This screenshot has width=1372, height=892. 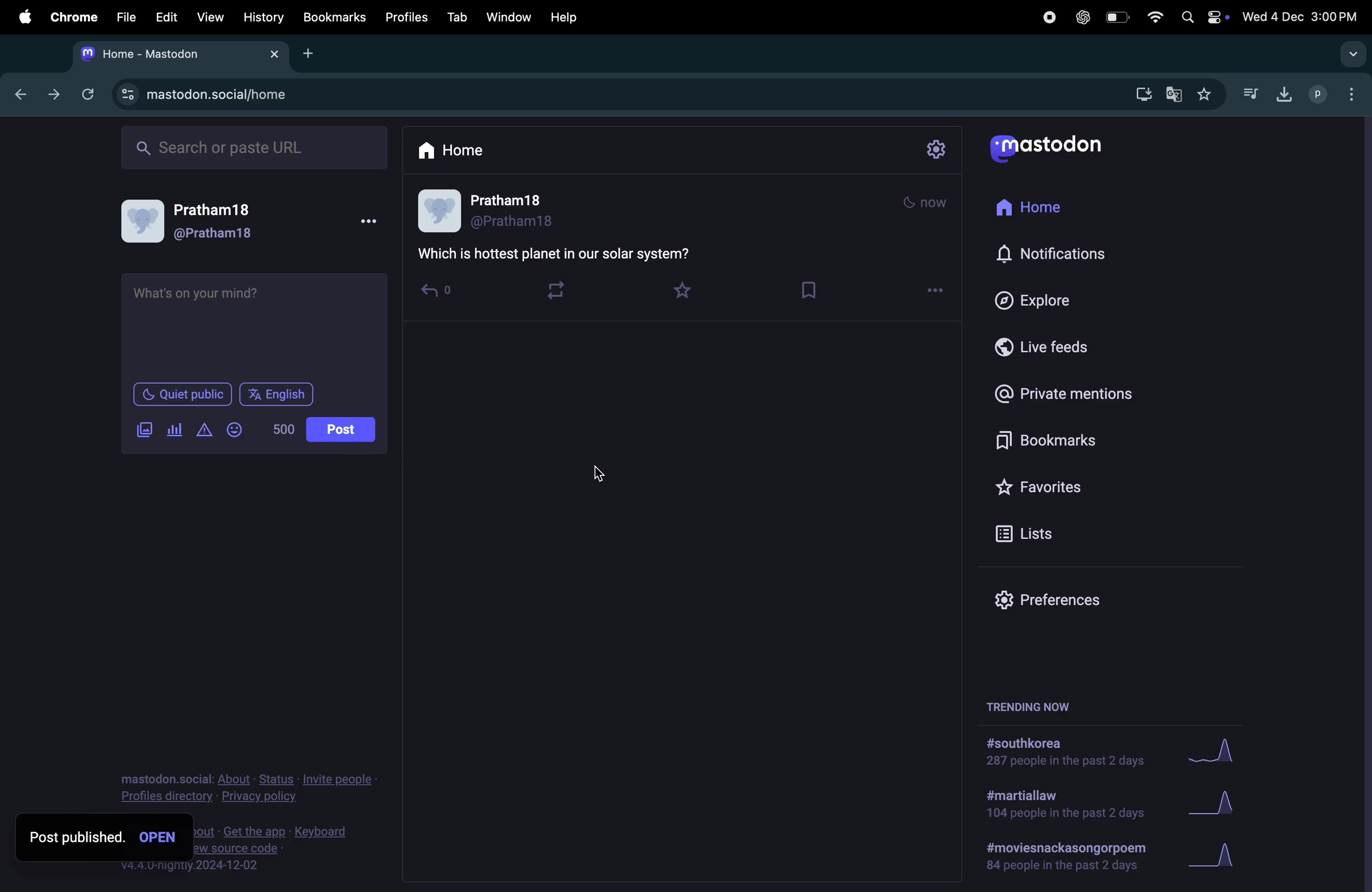 What do you see at coordinates (281, 429) in the screenshot?
I see `500` at bounding box center [281, 429].